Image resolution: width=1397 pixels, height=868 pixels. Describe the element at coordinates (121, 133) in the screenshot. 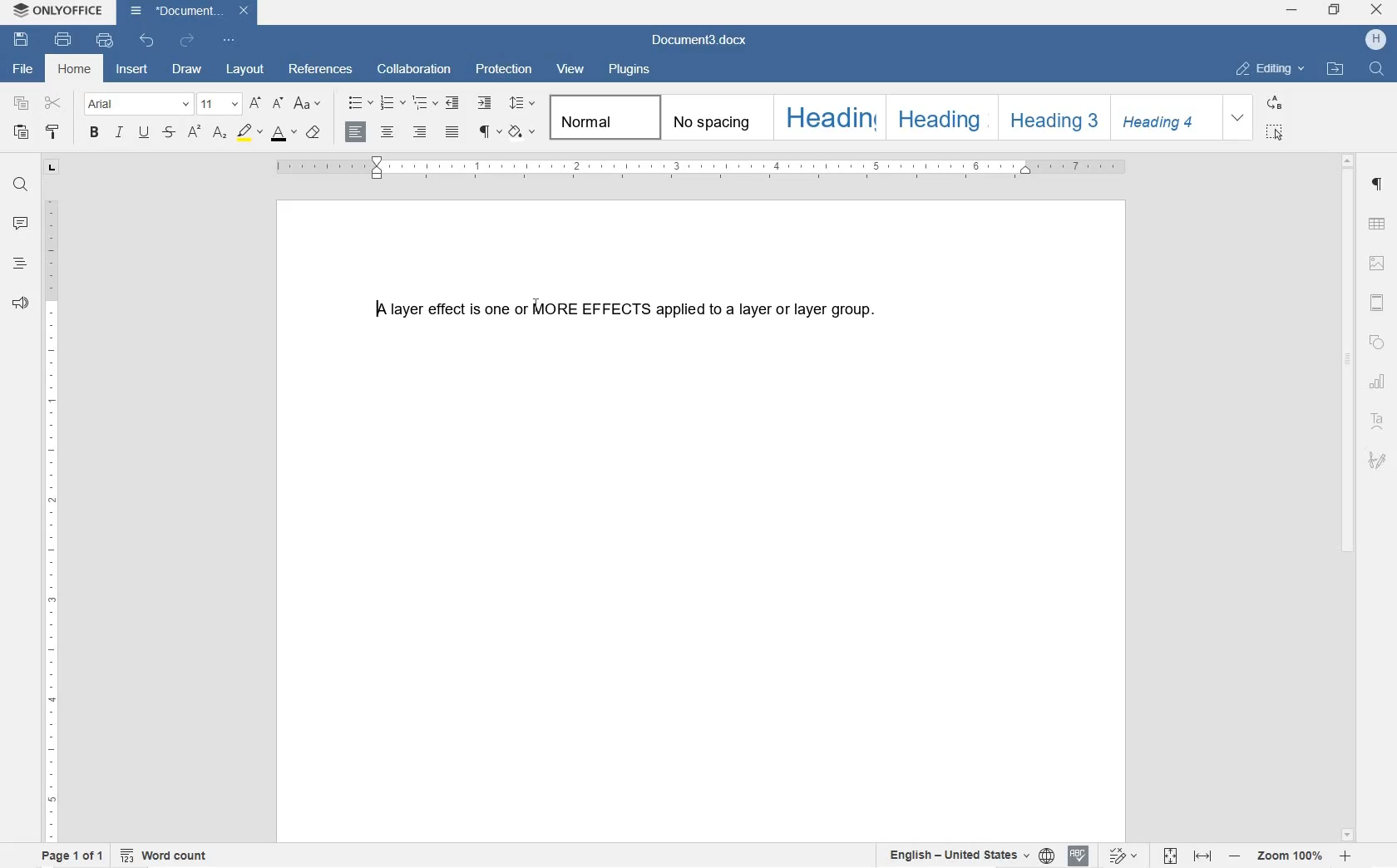

I see `ITALIC` at that location.